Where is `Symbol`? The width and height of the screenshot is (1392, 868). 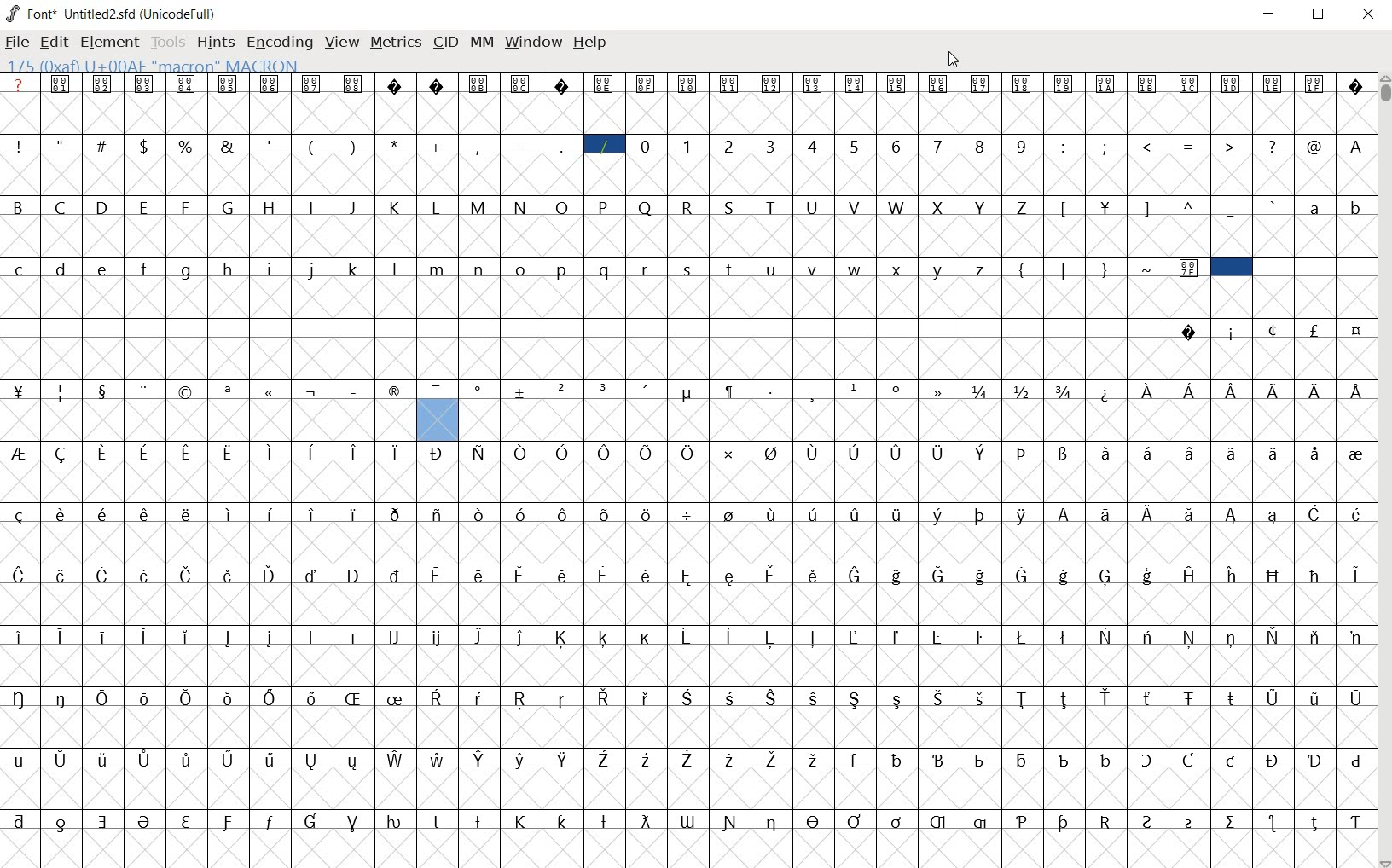
Symbol is located at coordinates (20, 636).